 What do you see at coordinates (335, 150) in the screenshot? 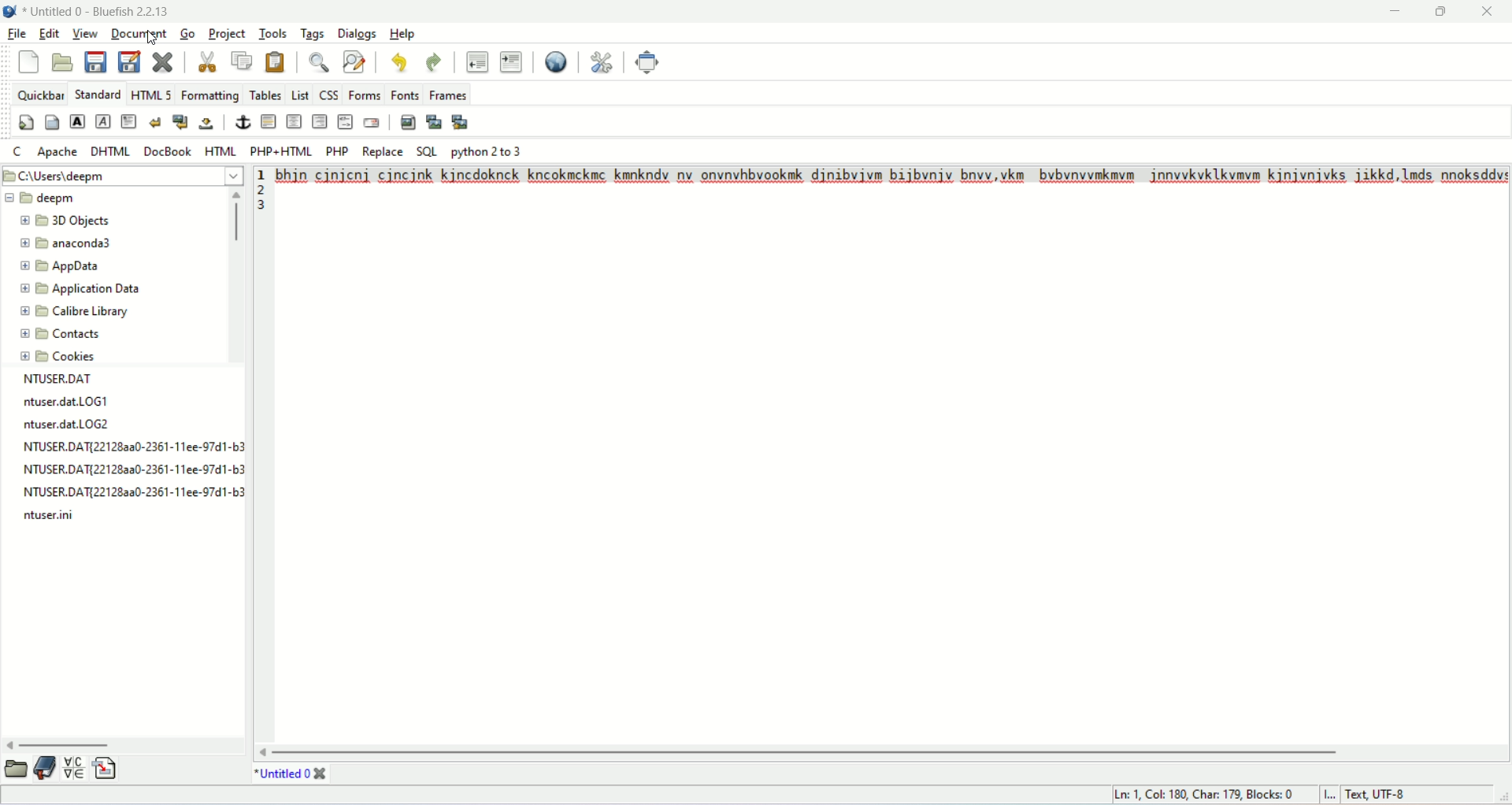
I see `PHP` at bounding box center [335, 150].